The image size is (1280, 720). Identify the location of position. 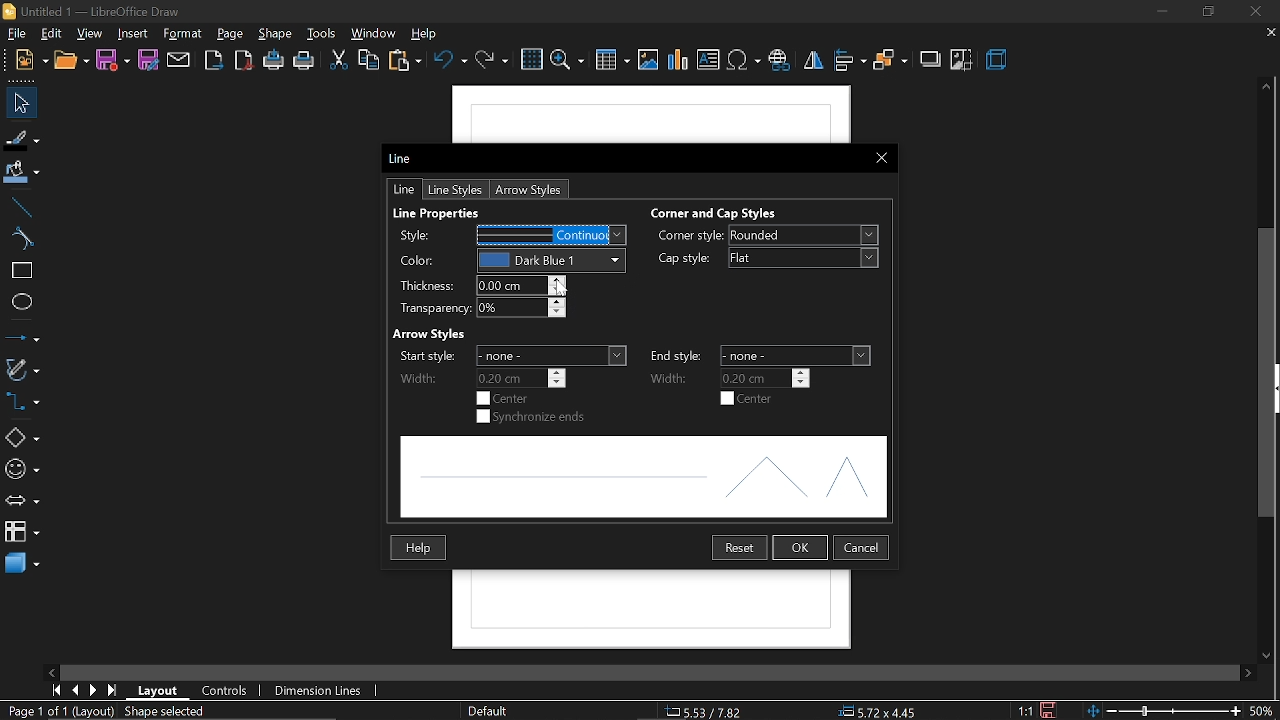
(882, 712).